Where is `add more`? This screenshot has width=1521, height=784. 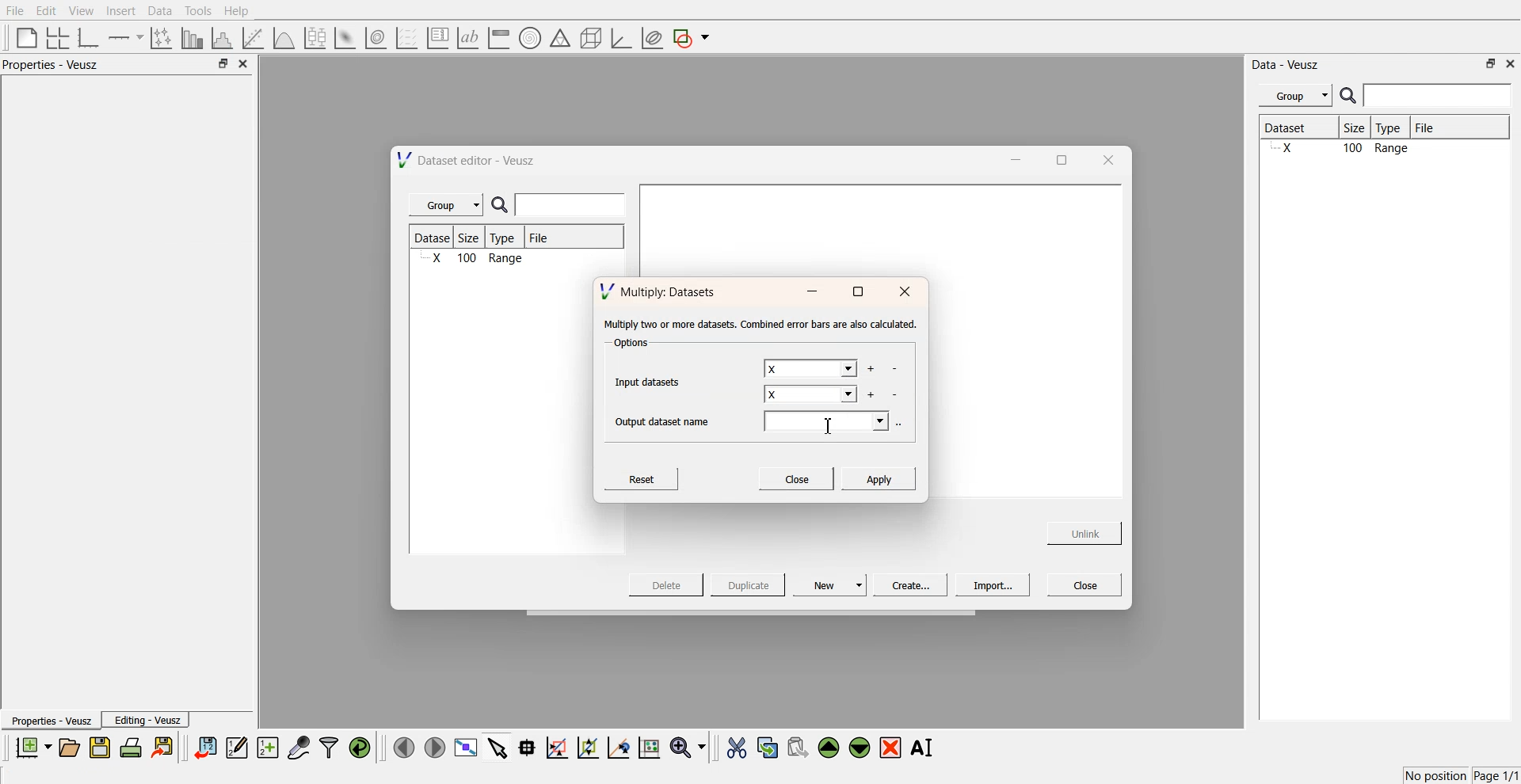 add more is located at coordinates (870, 369).